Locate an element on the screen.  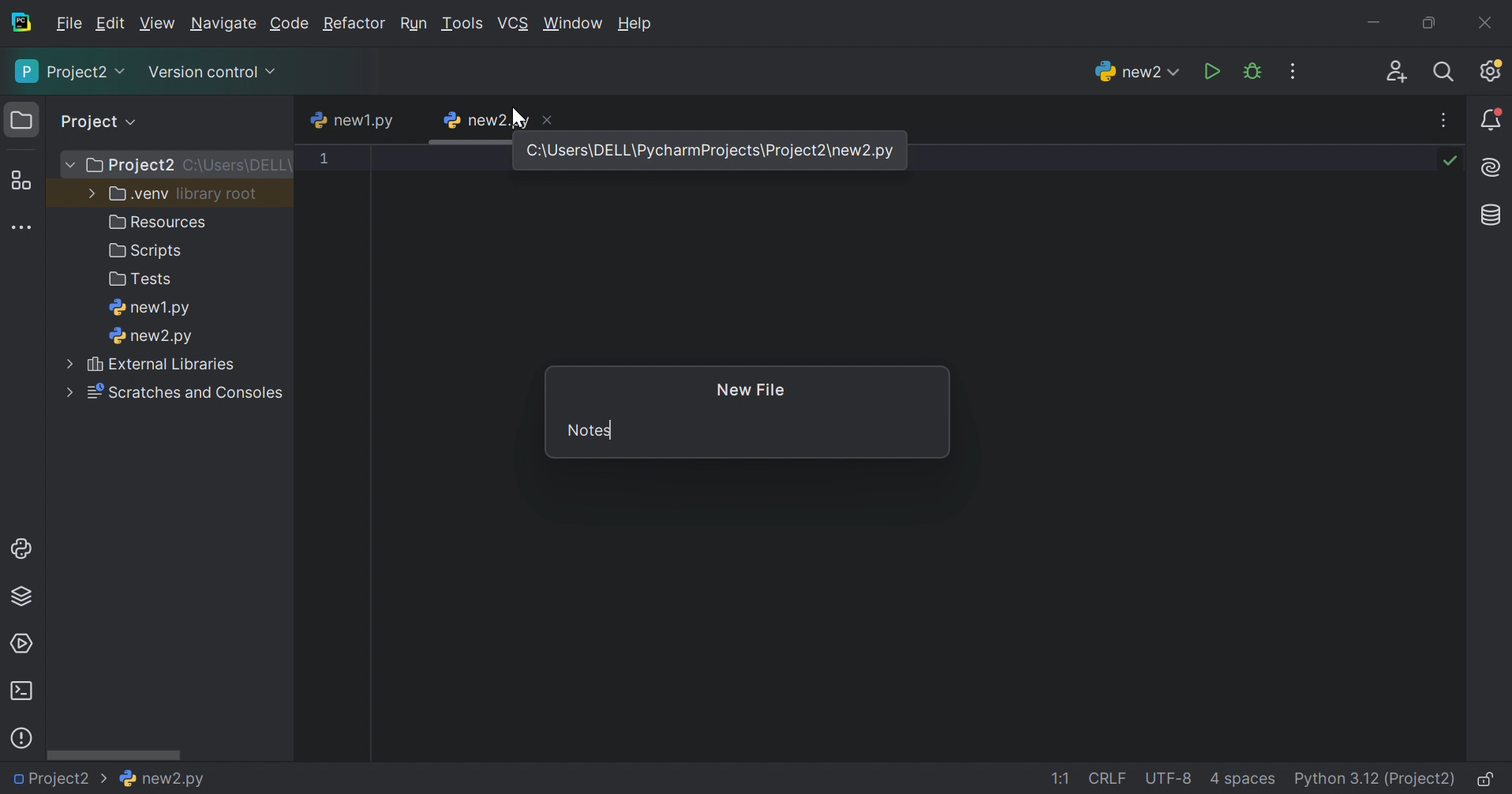
Updates available. IDE and Project Settings. is located at coordinates (1493, 73).